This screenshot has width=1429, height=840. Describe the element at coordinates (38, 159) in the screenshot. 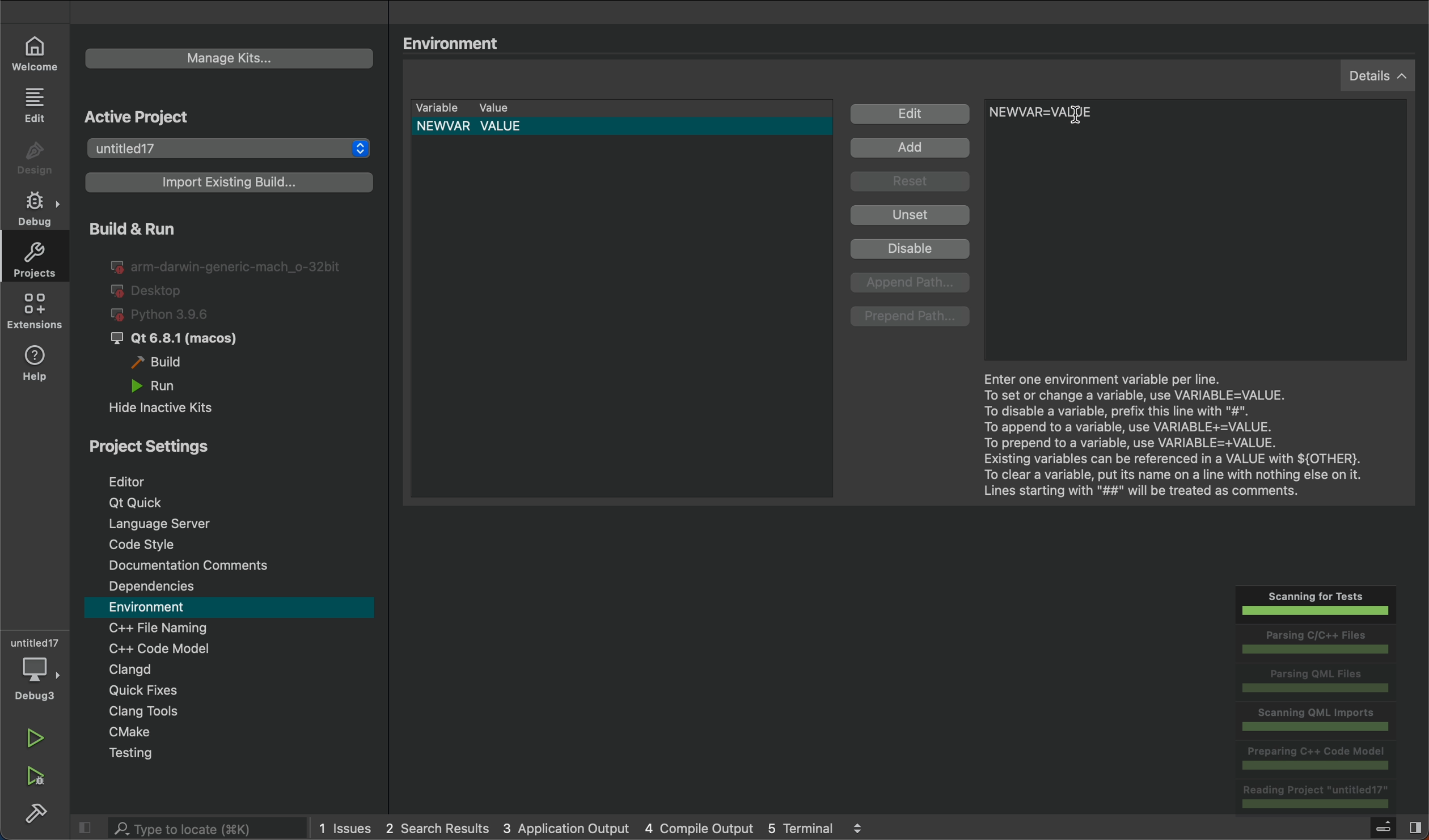

I see `design` at that location.